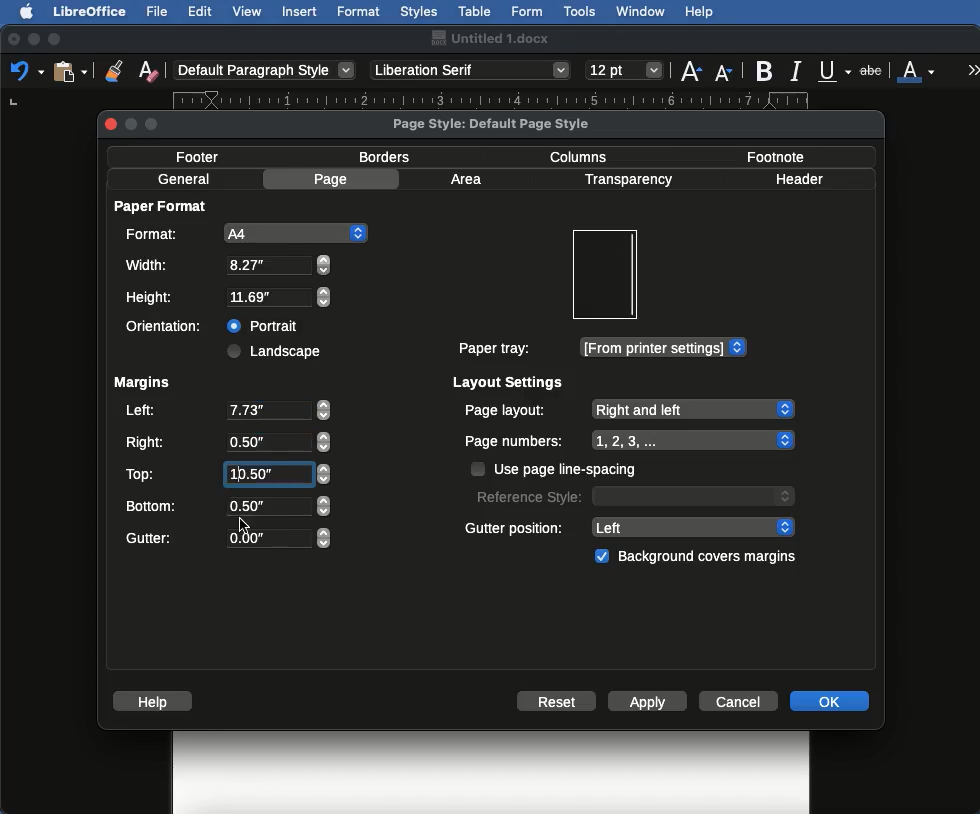 The image size is (980, 814). Describe the element at coordinates (227, 265) in the screenshot. I see `Width` at that location.